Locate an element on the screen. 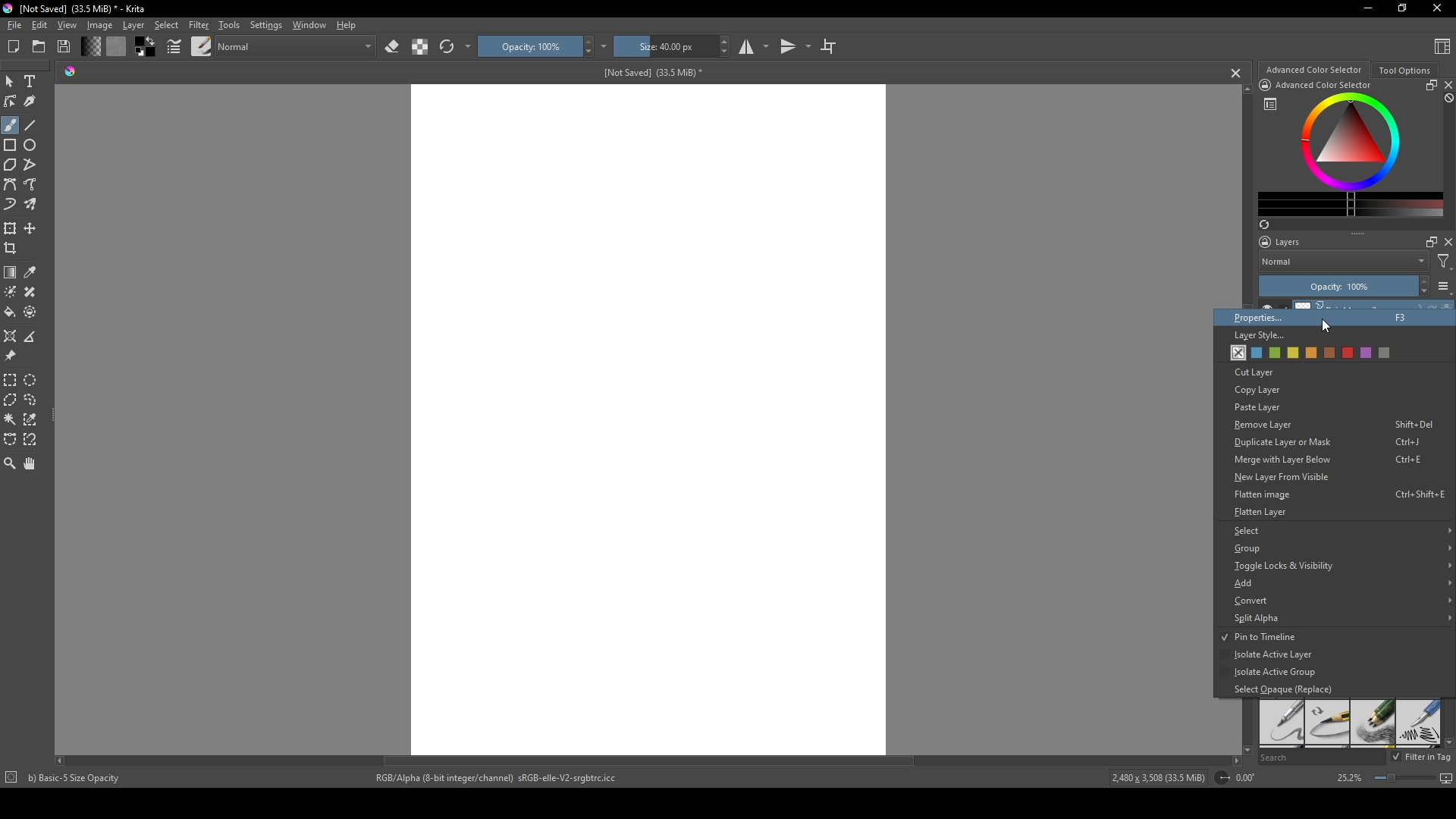 The image size is (1456, 819). lemon is located at coordinates (1291, 353).